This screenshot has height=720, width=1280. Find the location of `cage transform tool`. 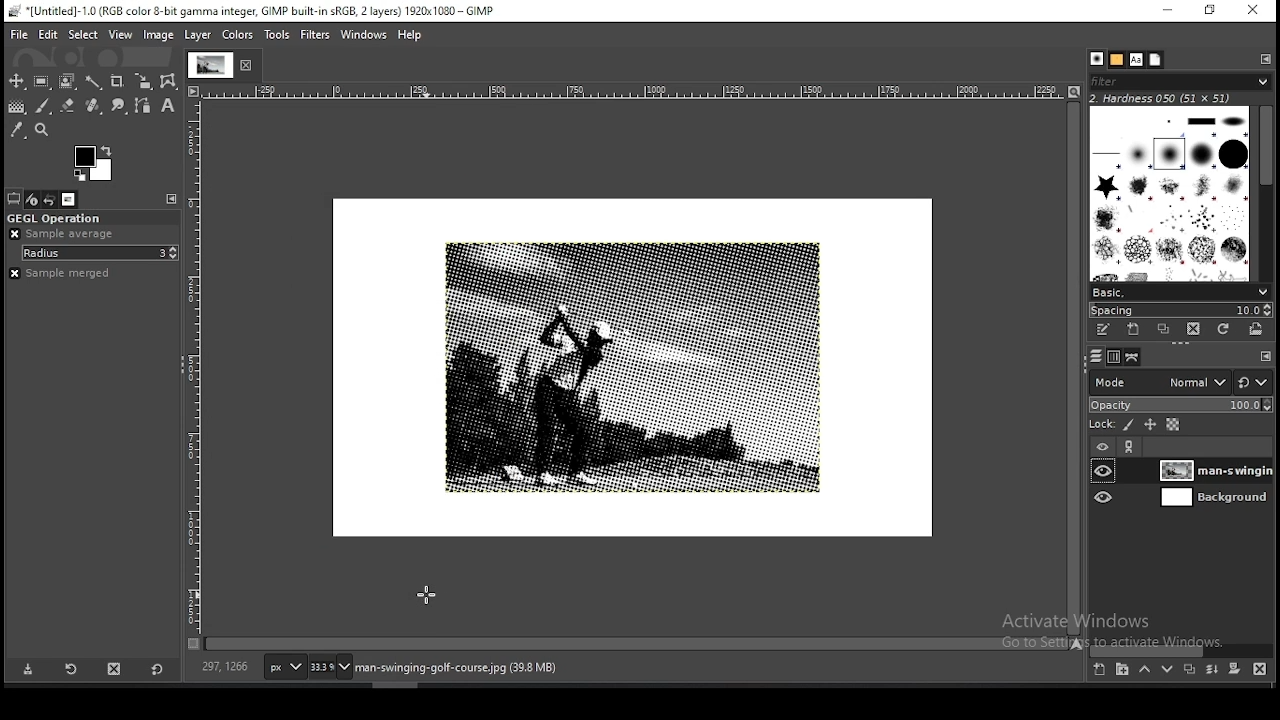

cage transform tool is located at coordinates (170, 82).